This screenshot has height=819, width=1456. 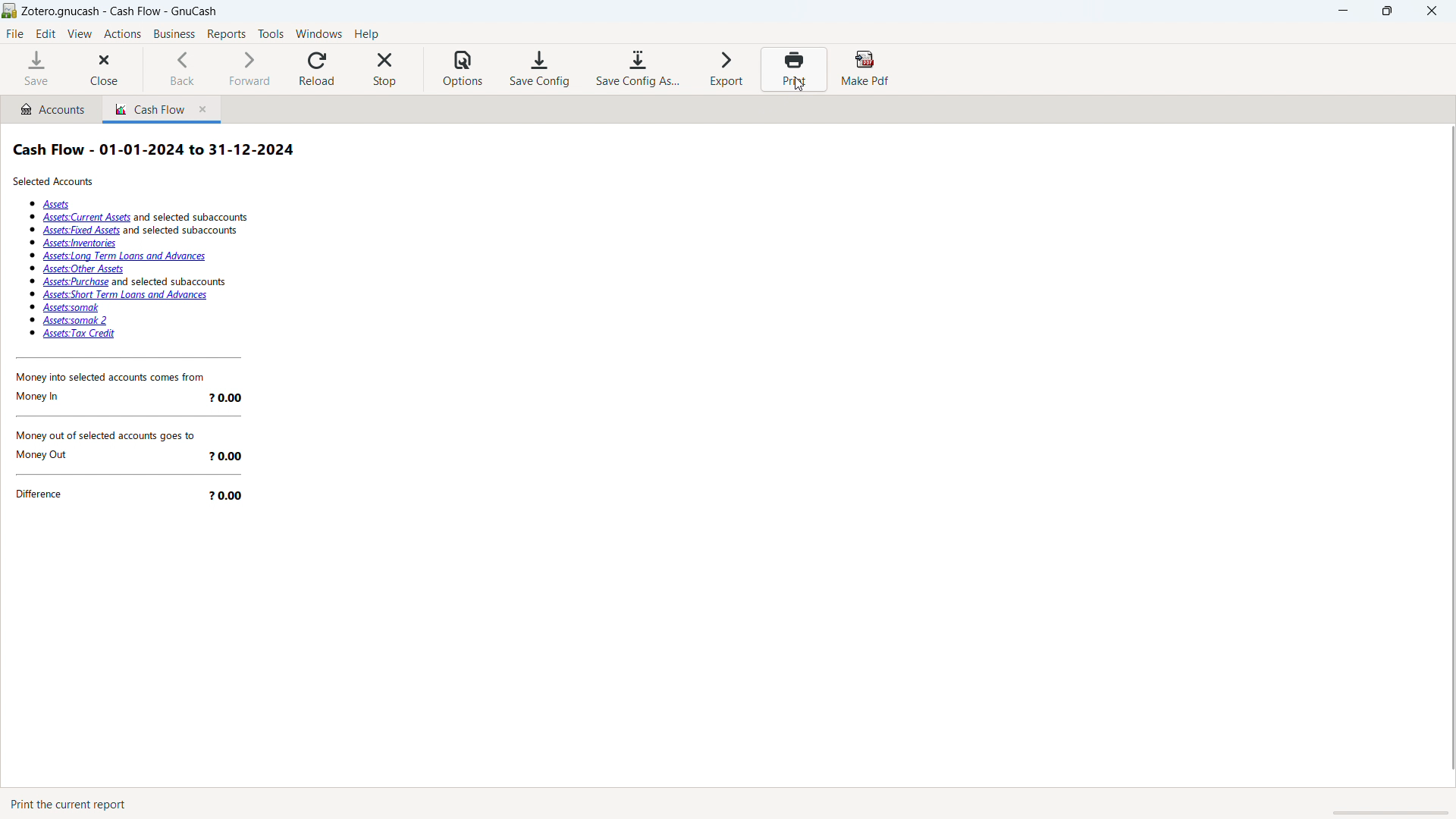 What do you see at coordinates (271, 34) in the screenshot?
I see `tools` at bounding box center [271, 34].